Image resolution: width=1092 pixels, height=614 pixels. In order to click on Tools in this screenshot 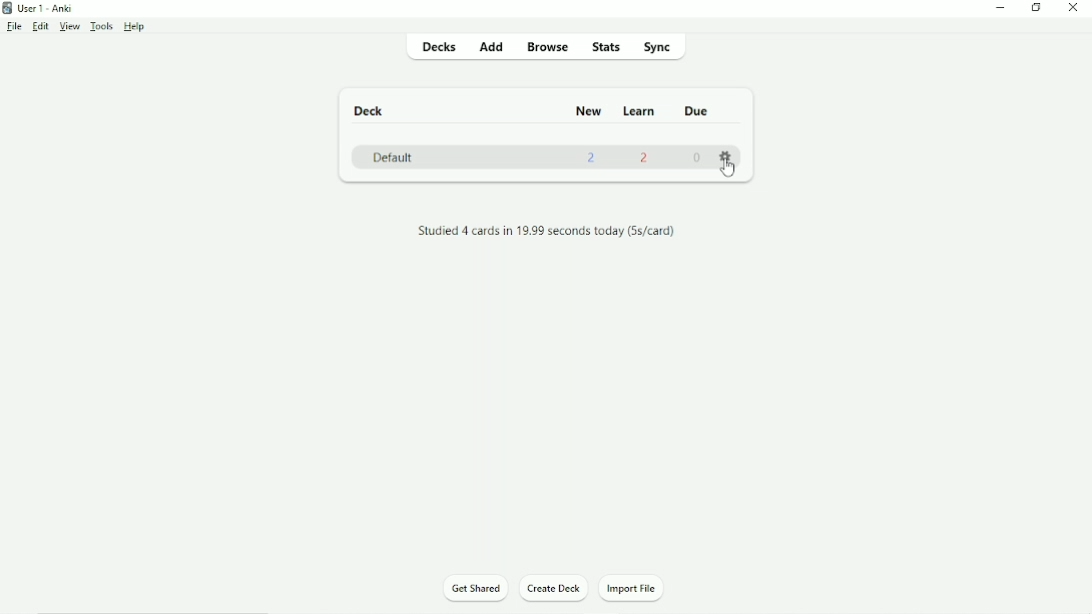, I will do `click(103, 27)`.